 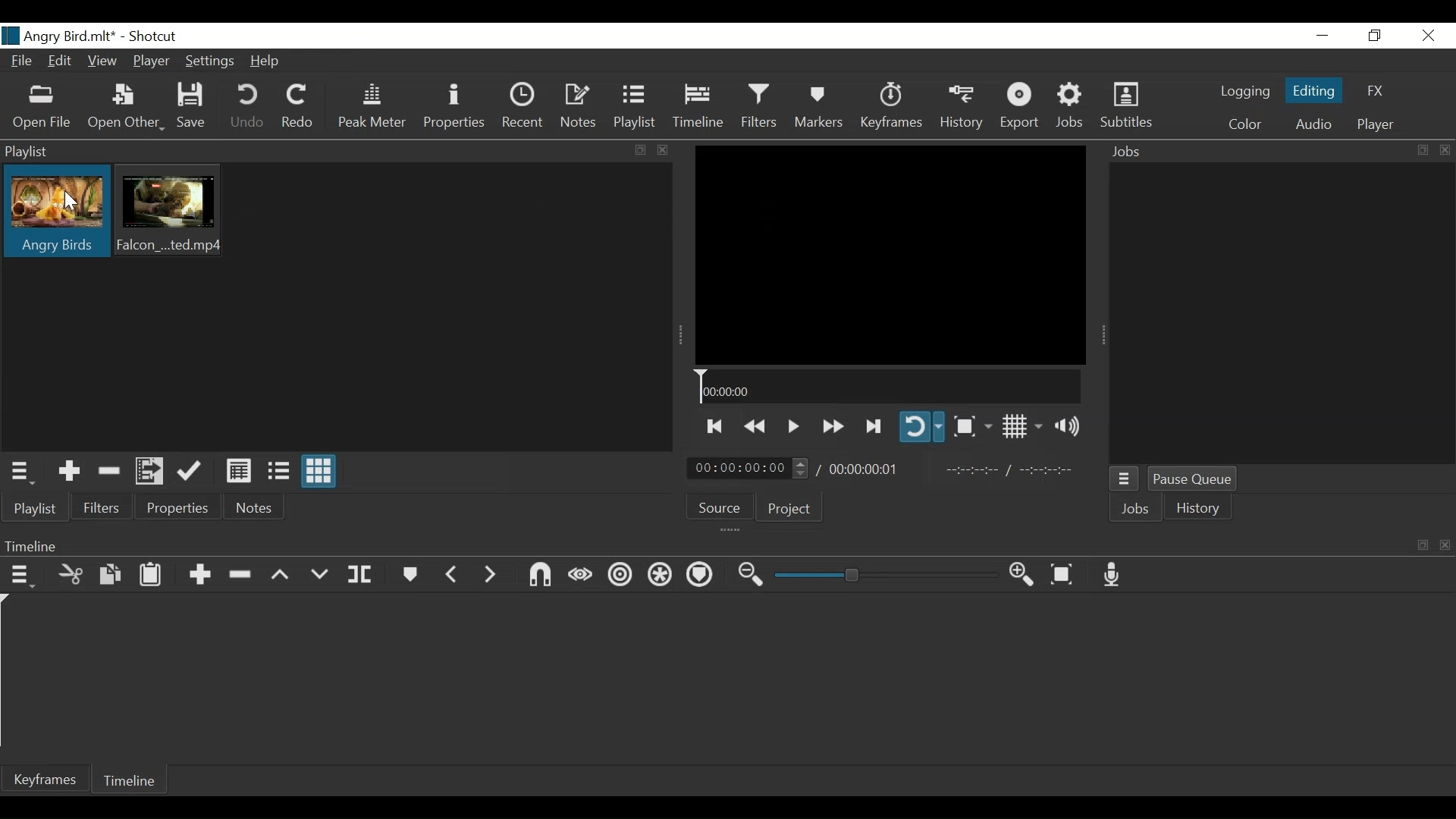 I want to click on Open Other, so click(x=127, y=106).